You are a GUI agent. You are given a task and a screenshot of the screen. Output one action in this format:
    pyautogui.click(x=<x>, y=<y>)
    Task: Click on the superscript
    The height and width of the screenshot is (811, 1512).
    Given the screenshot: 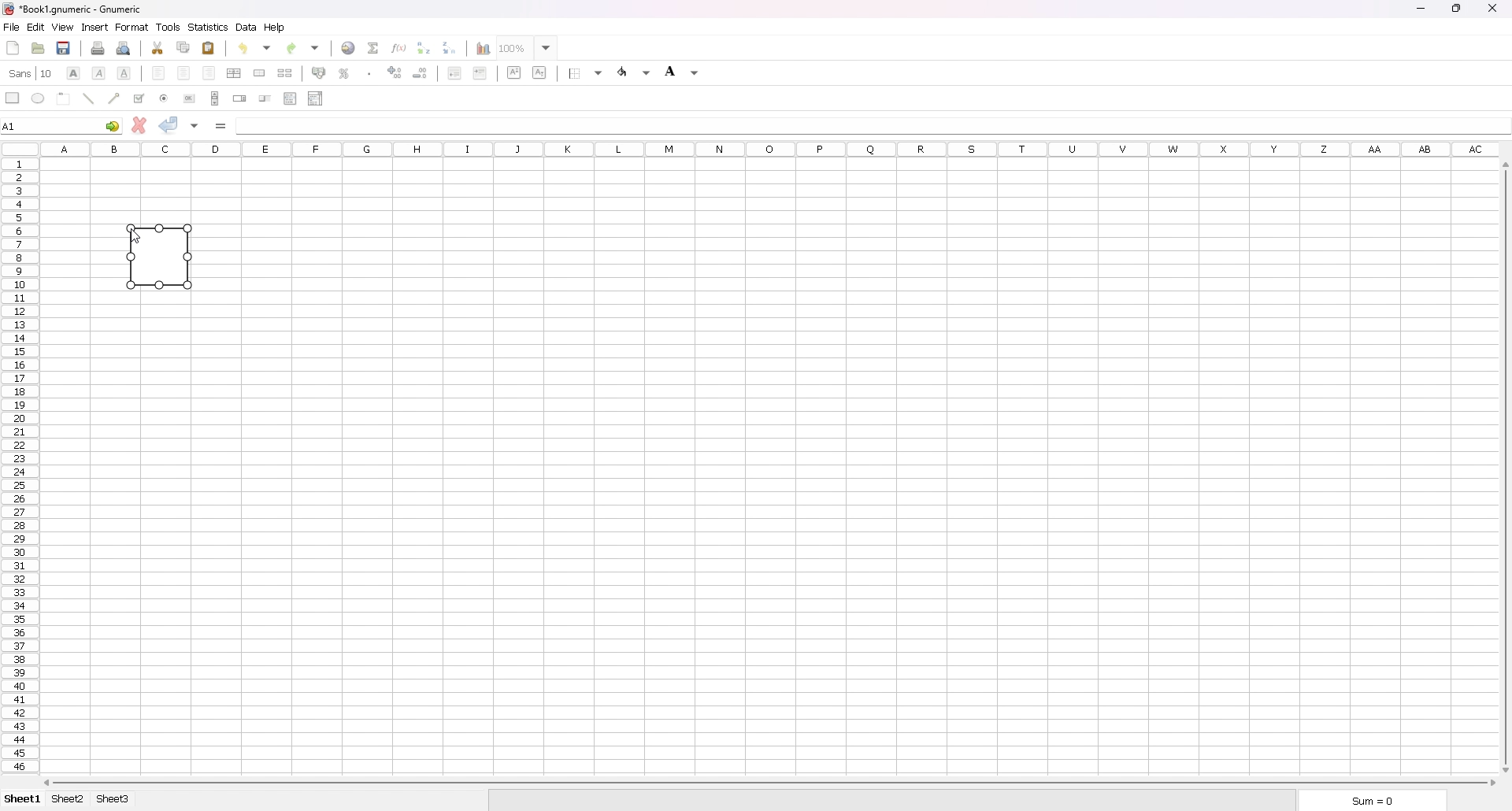 What is the action you would take?
    pyautogui.click(x=514, y=72)
    